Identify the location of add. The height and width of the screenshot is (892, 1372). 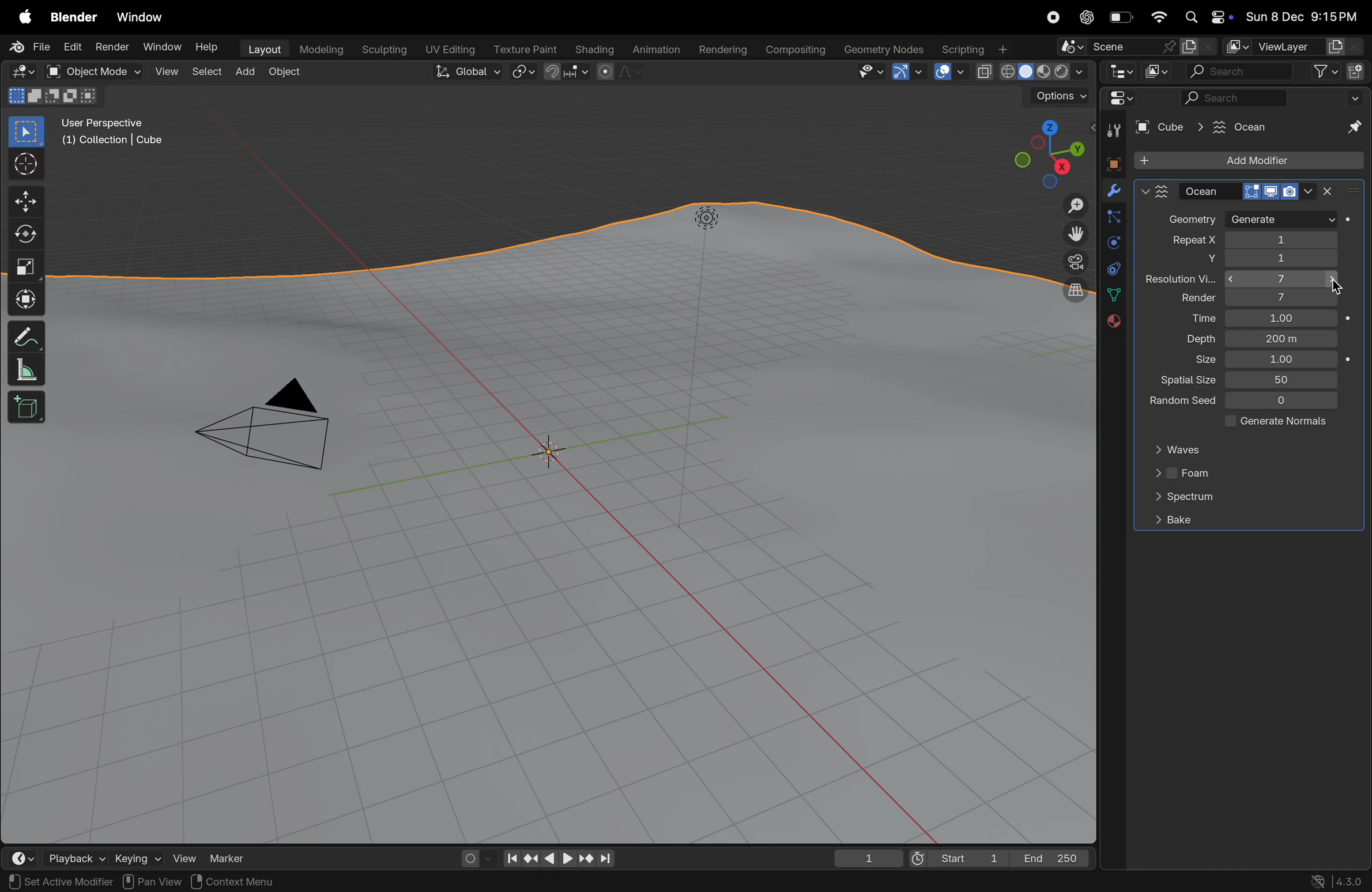
(249, 72).